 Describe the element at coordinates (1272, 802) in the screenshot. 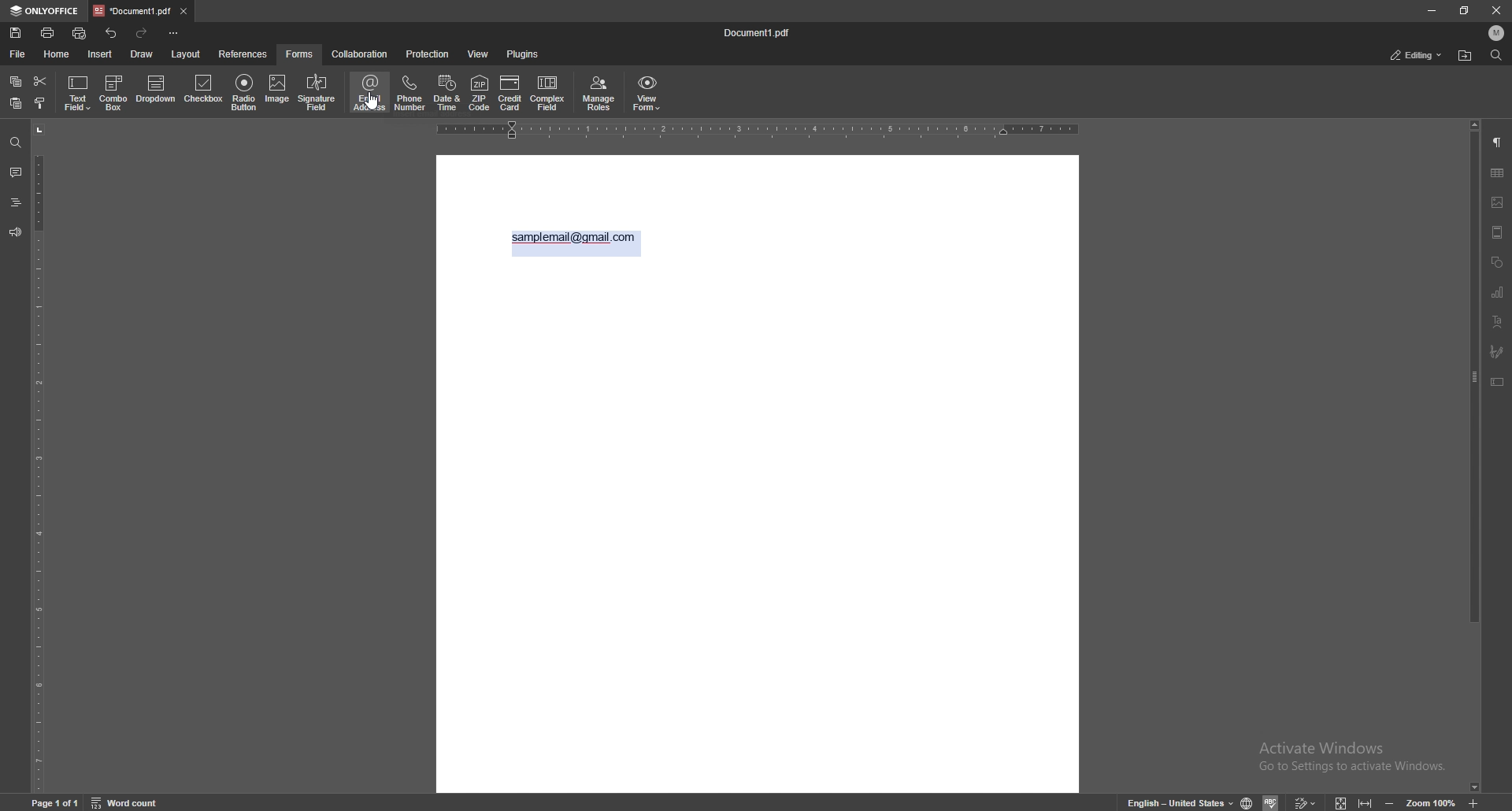

I see `spell check` at that location.